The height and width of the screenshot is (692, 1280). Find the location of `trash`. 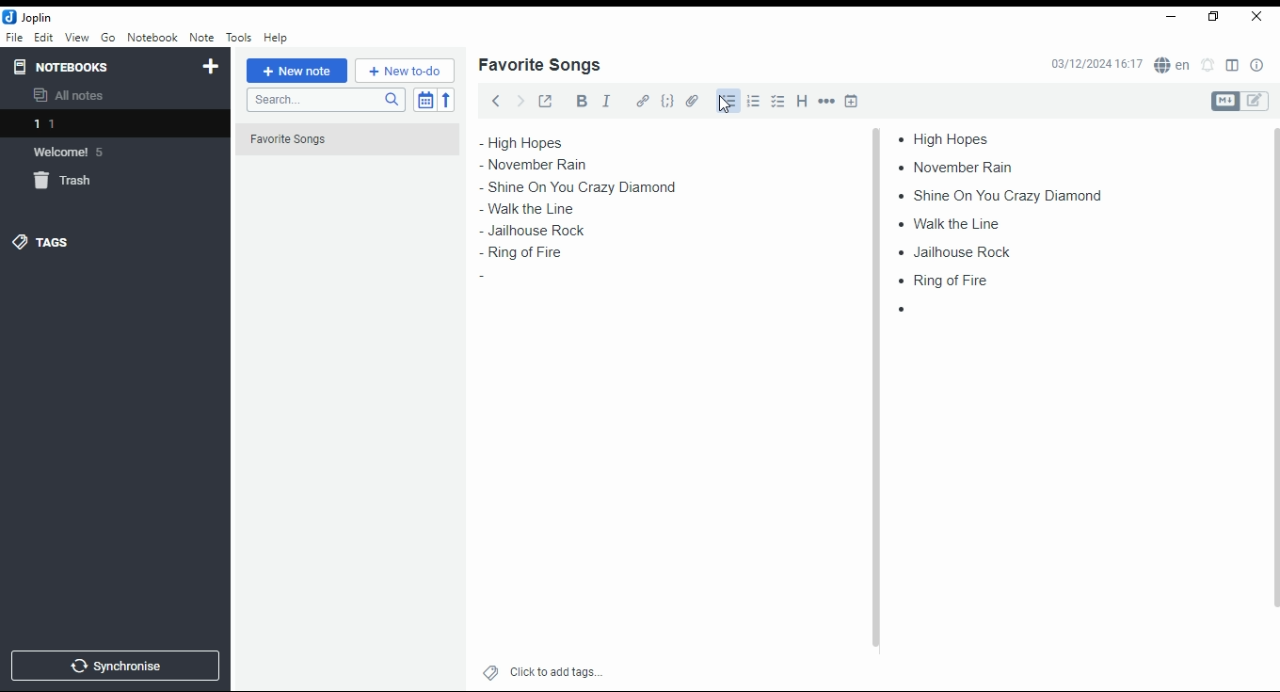

trash is located at coordinates (74, 184).